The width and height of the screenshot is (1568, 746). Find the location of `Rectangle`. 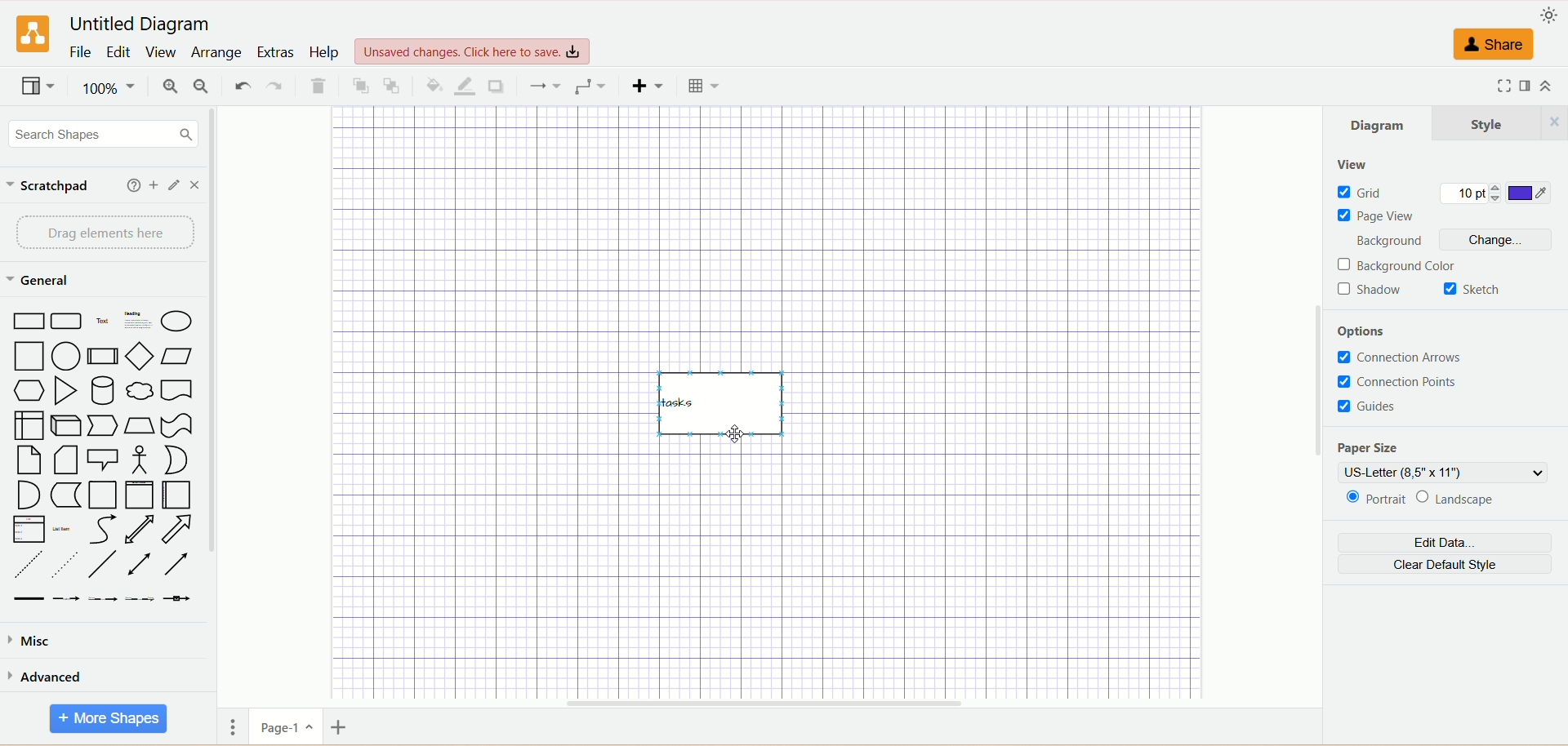

Rectangle is located at coordinates (28, 321).